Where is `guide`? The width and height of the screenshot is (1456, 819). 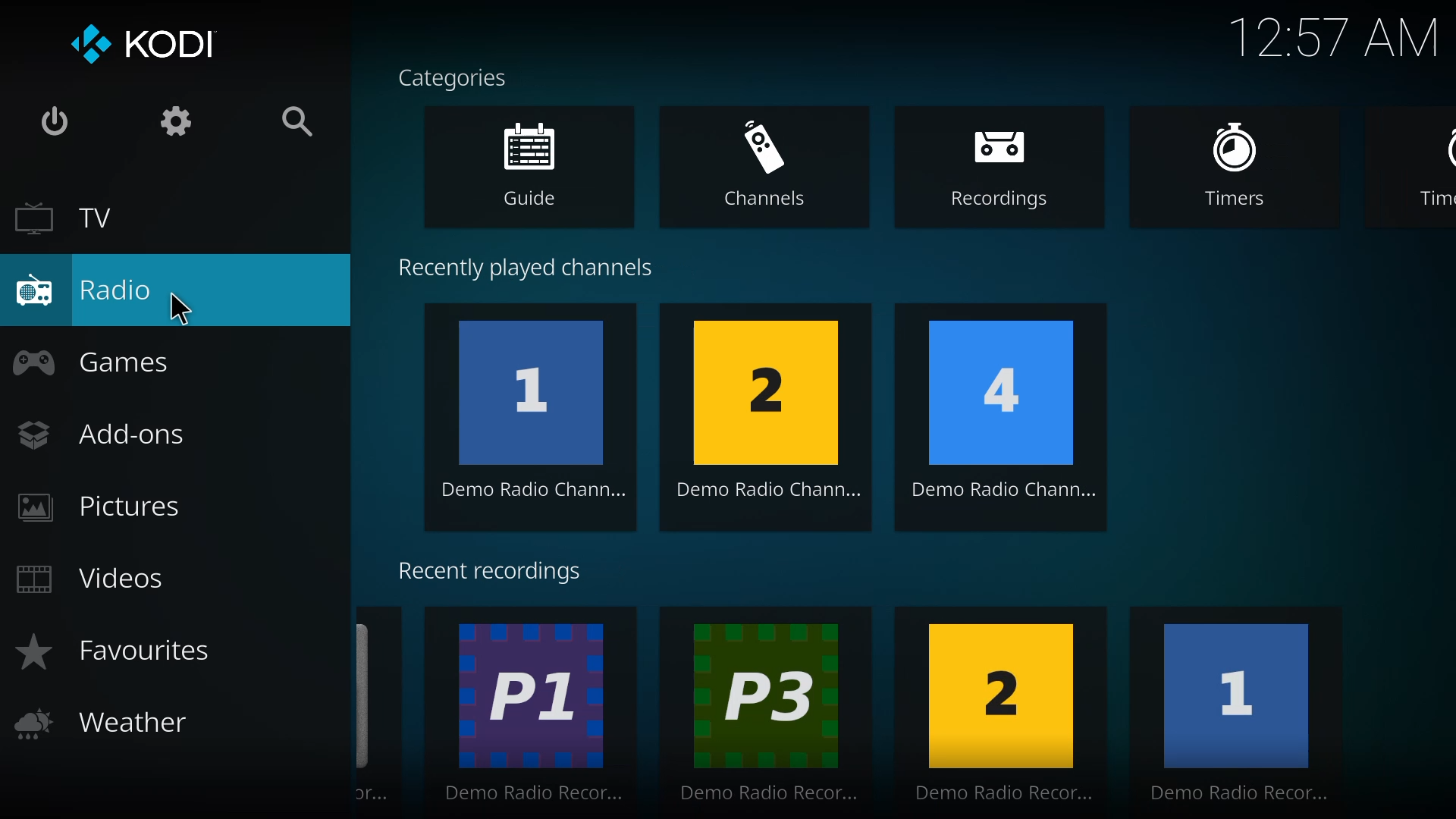 guide is located at coordinates (537, 168).